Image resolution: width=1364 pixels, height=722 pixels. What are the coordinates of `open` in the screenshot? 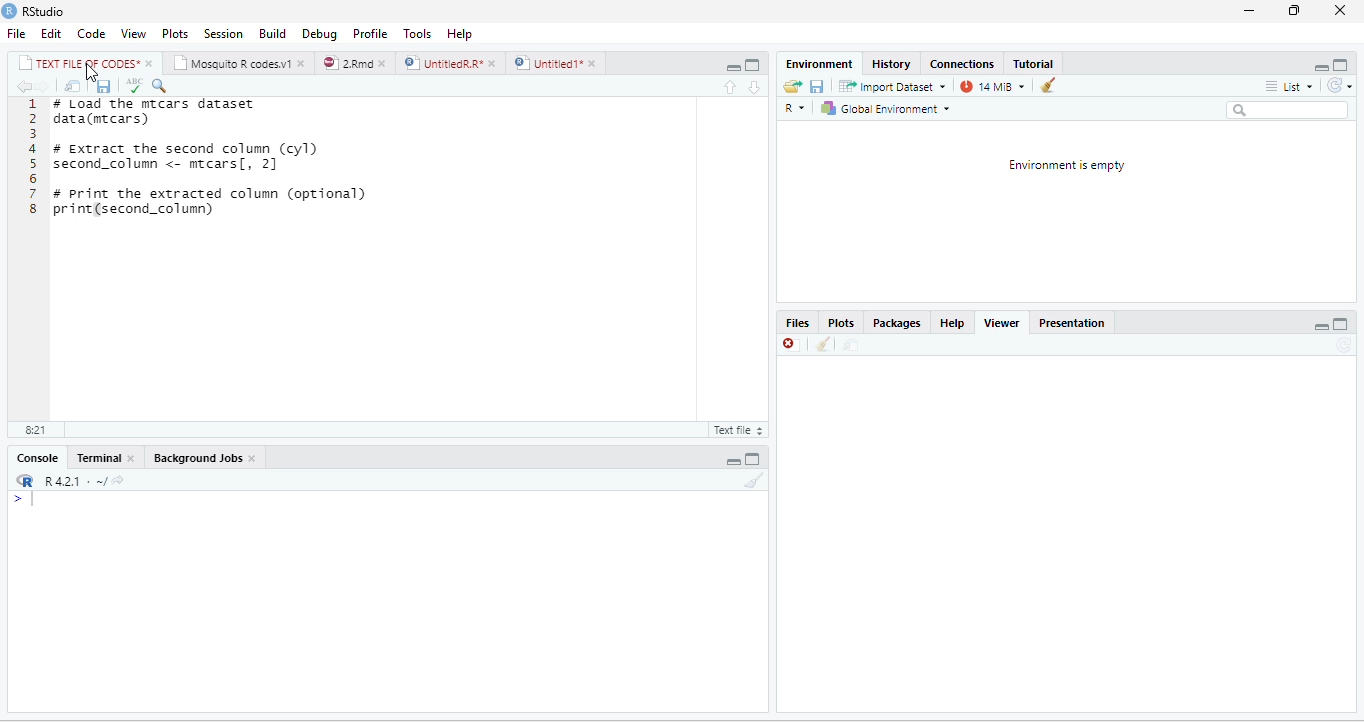 It's located at (789, 87).